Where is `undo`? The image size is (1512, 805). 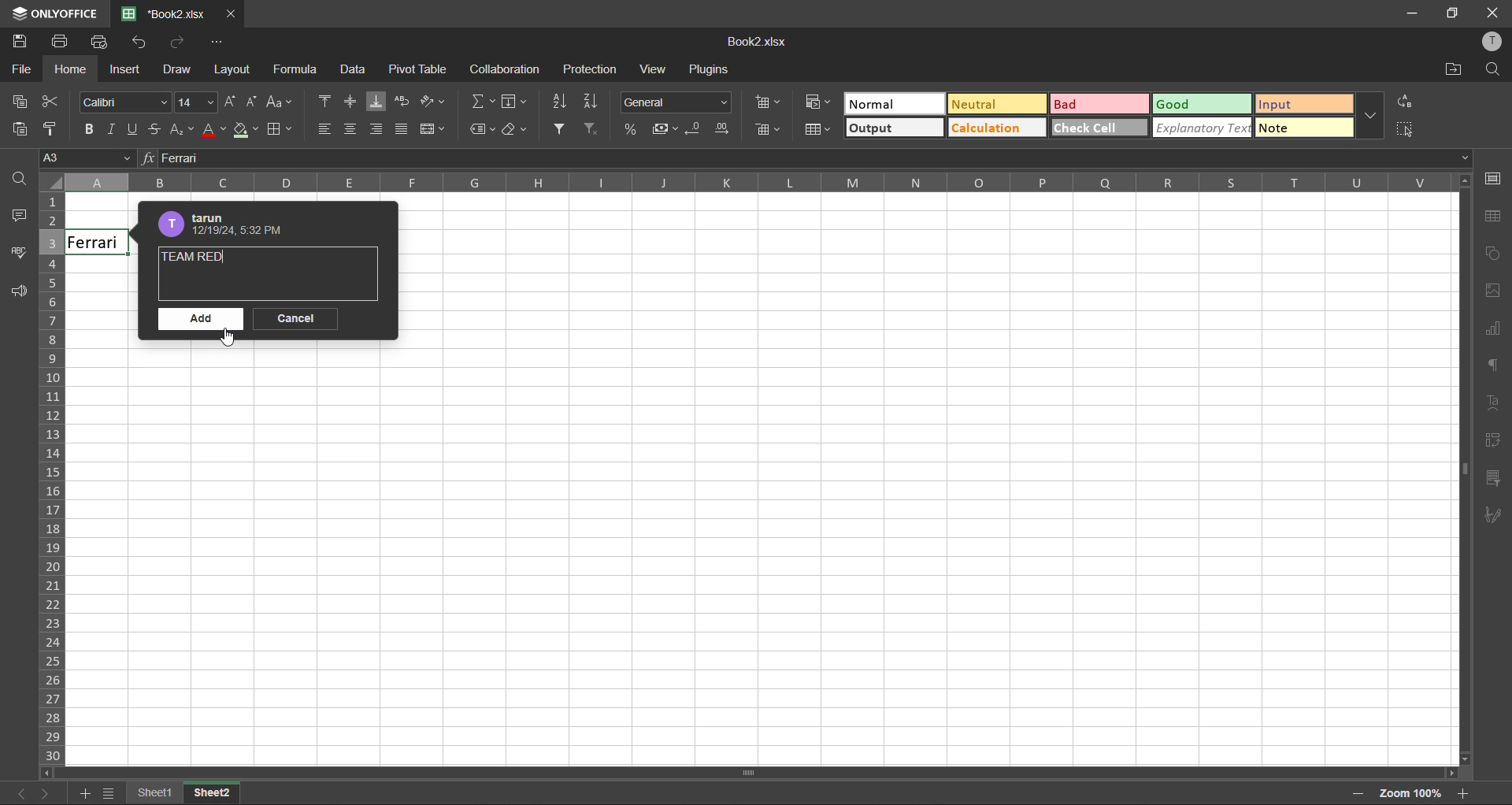 undo is located at coordinates (139, 41).